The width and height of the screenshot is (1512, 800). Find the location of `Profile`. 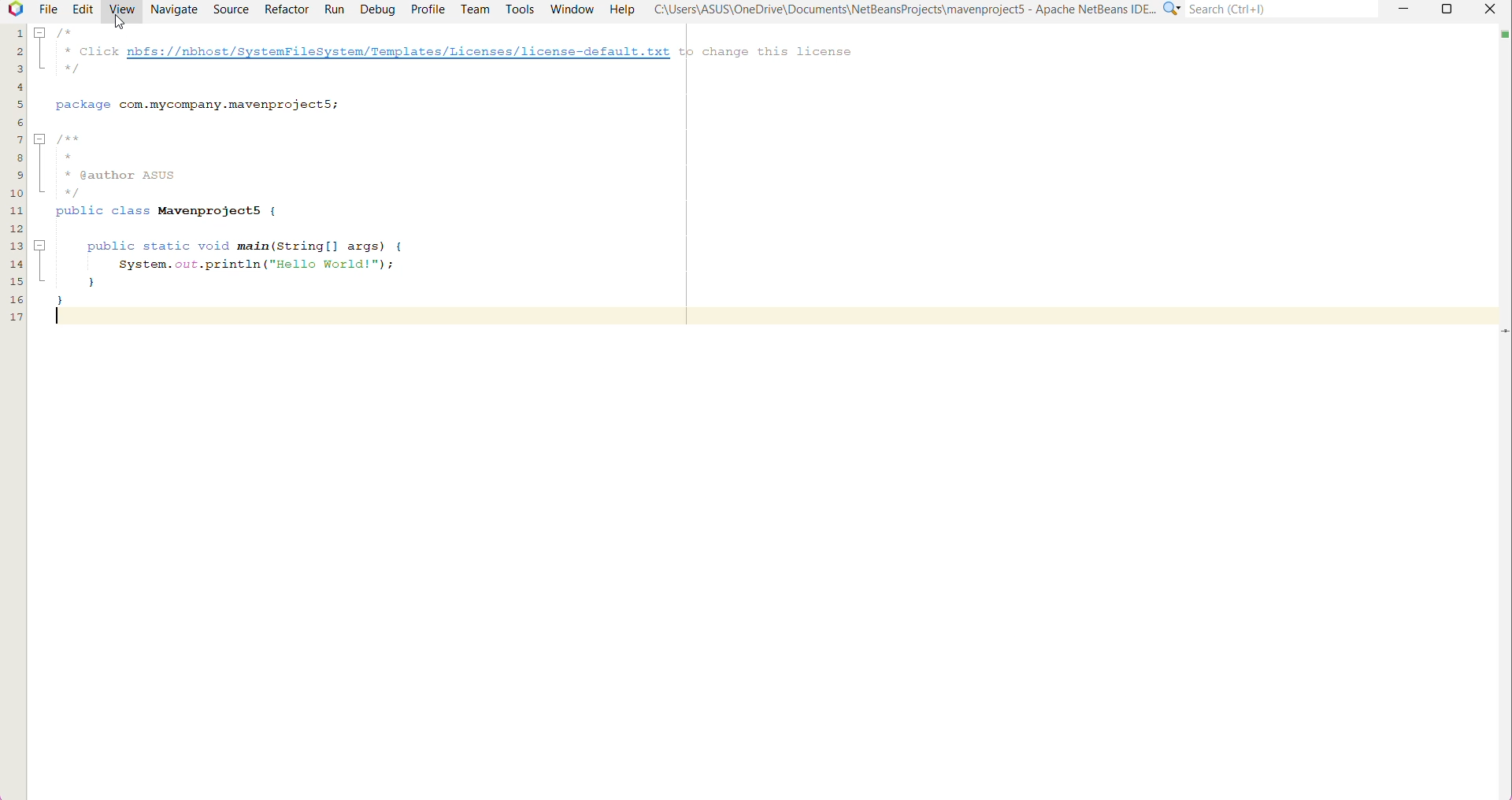

Profile is located at coordinates (428, 9).